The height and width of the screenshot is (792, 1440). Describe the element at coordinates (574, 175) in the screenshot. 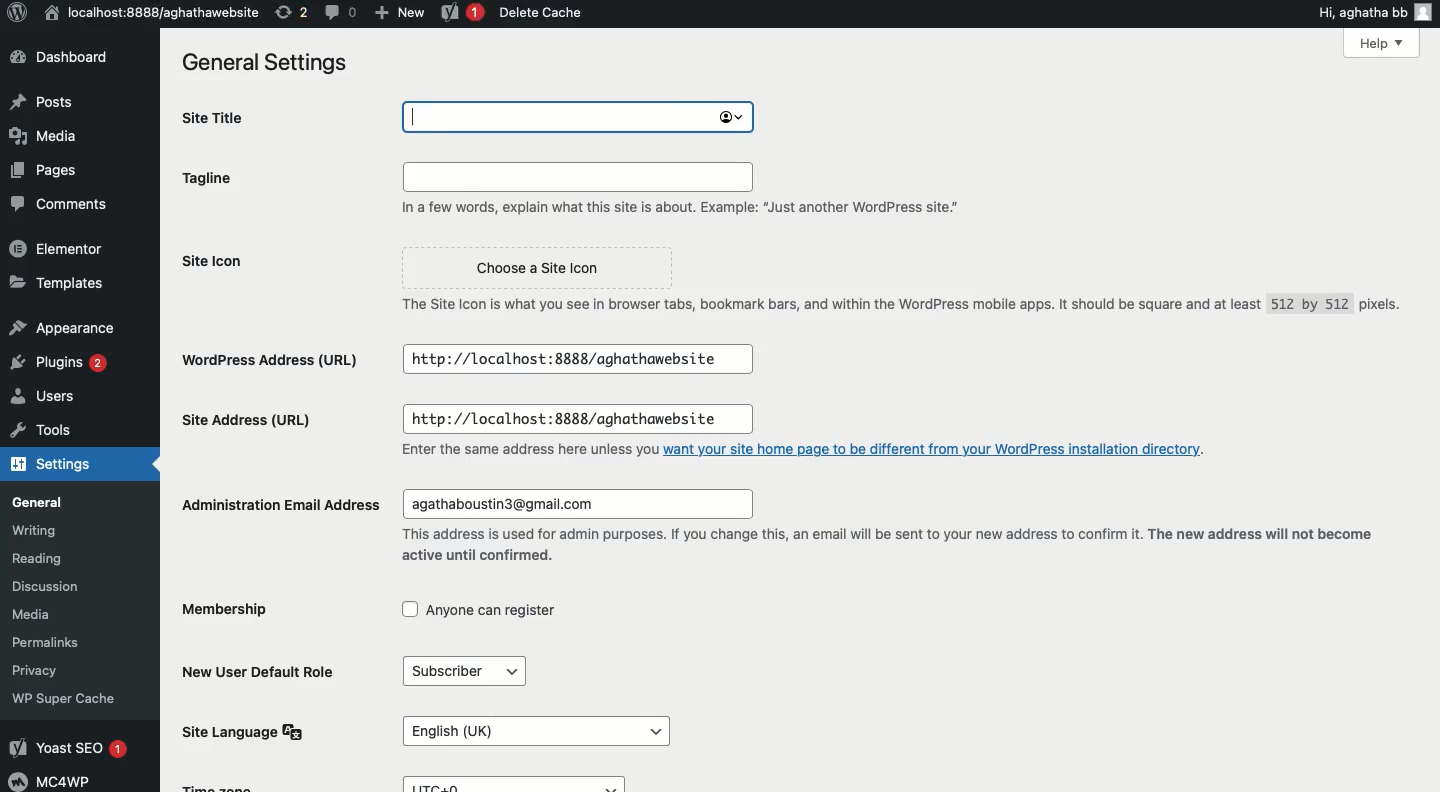

I see `Input field` at that location.